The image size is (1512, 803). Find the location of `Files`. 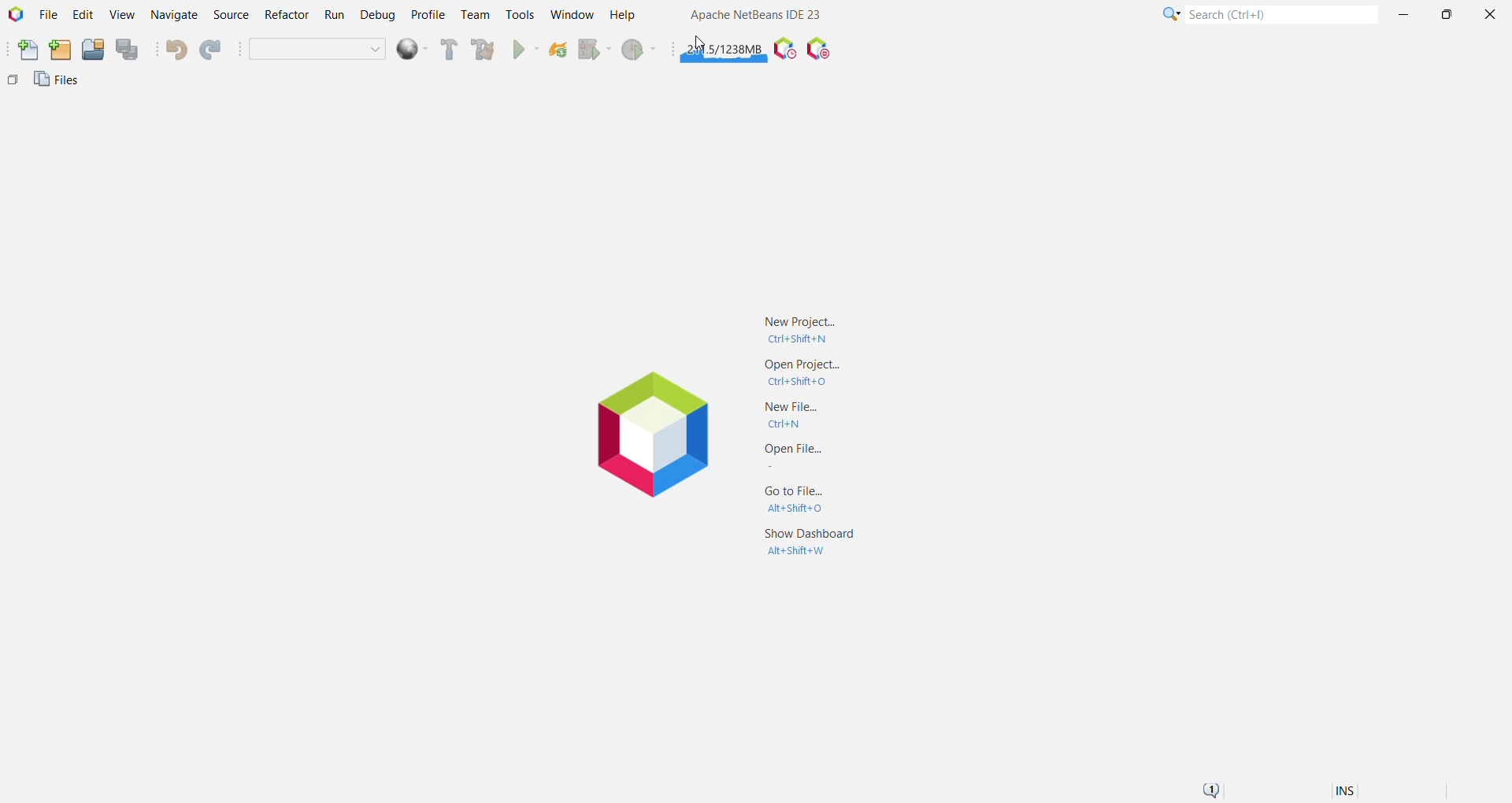

Files is located at coordinates (59, 83).